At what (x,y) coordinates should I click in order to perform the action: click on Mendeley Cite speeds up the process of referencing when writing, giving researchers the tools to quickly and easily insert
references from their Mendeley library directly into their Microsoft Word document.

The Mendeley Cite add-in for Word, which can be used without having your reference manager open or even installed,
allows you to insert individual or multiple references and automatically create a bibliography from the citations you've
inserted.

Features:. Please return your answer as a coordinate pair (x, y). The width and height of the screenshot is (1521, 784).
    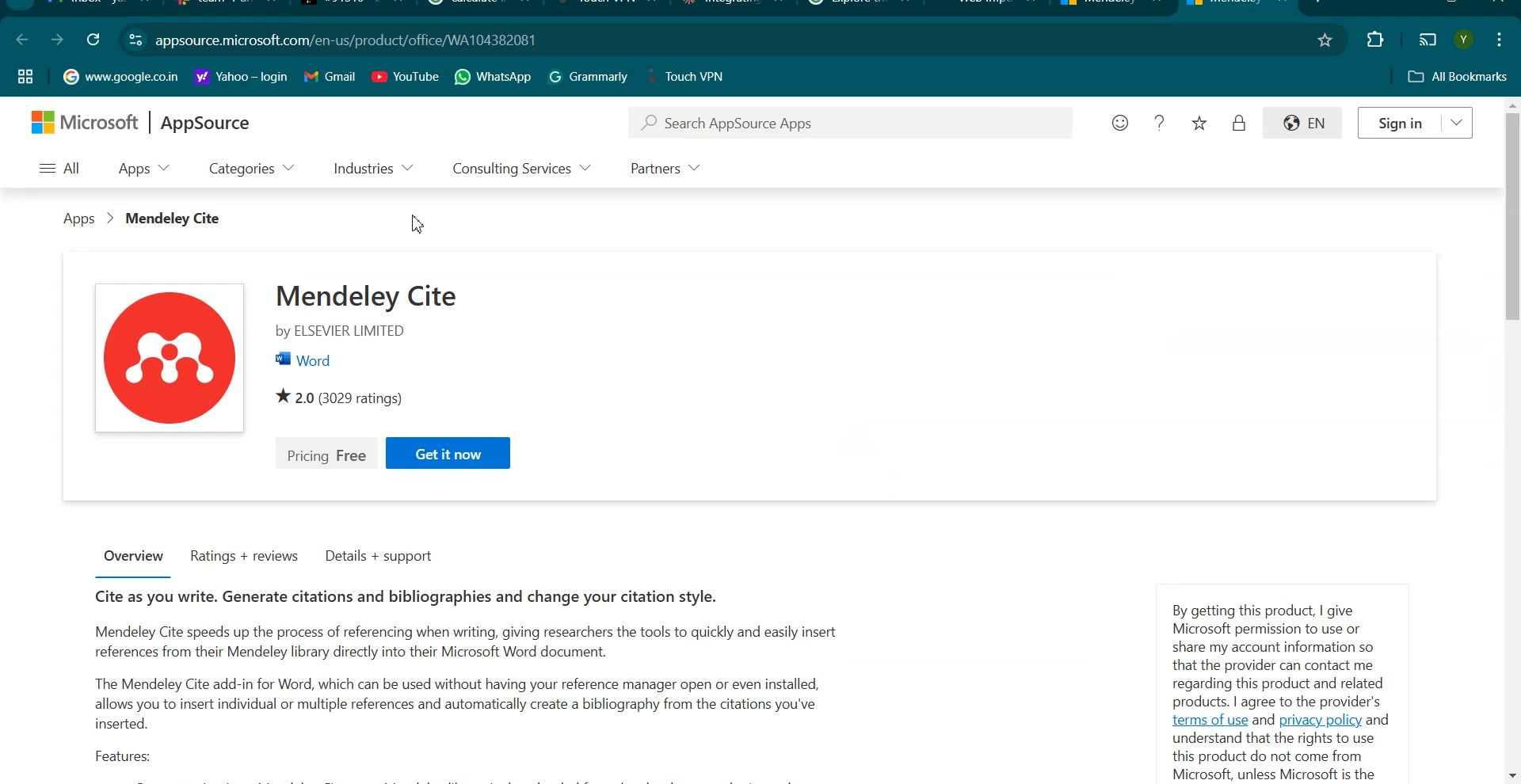
    Looking at the image, I should click on (461, 695).